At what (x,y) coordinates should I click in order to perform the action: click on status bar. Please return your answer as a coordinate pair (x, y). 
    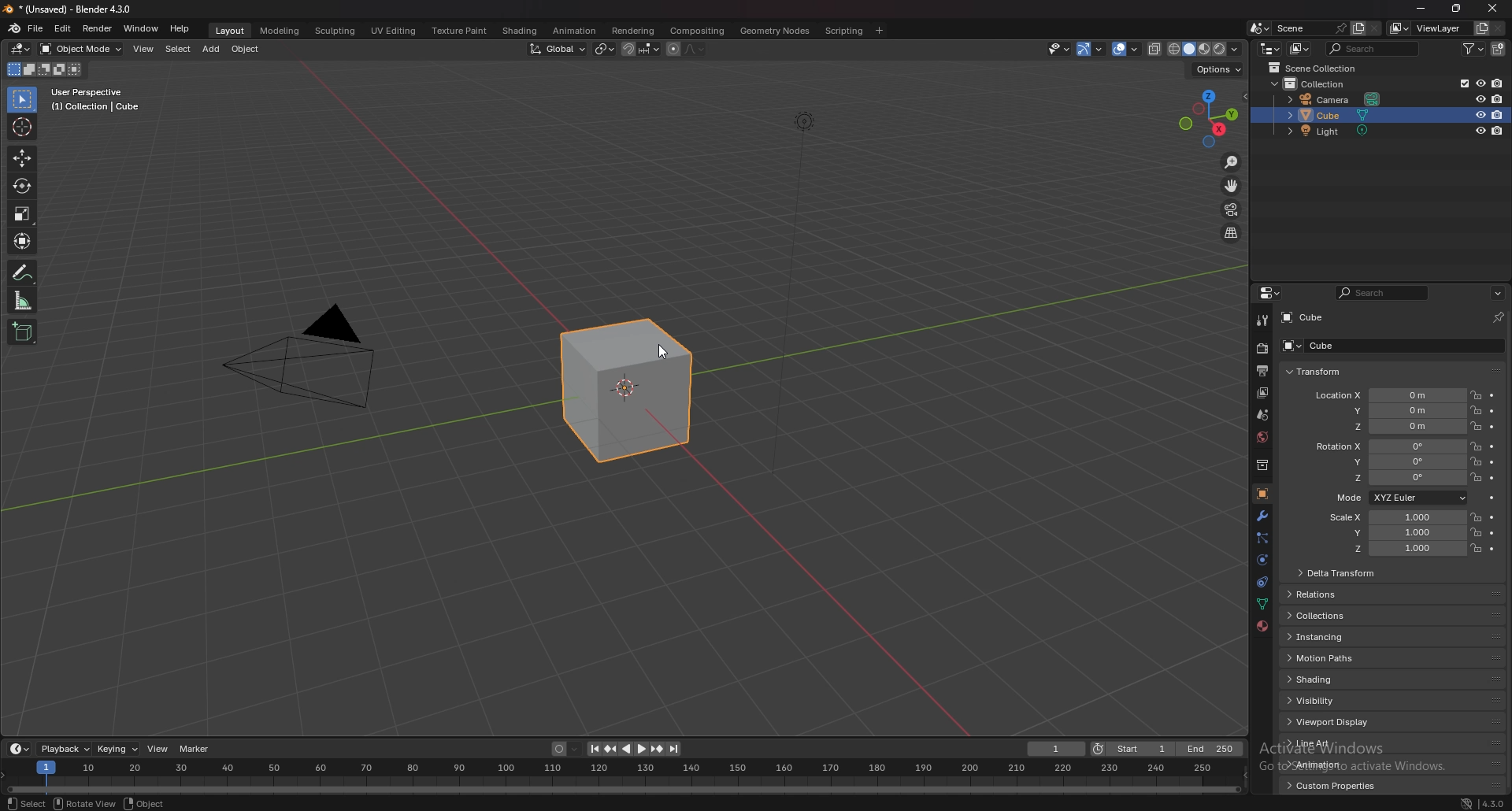
    Looking at the image, I should click on (146, 802).